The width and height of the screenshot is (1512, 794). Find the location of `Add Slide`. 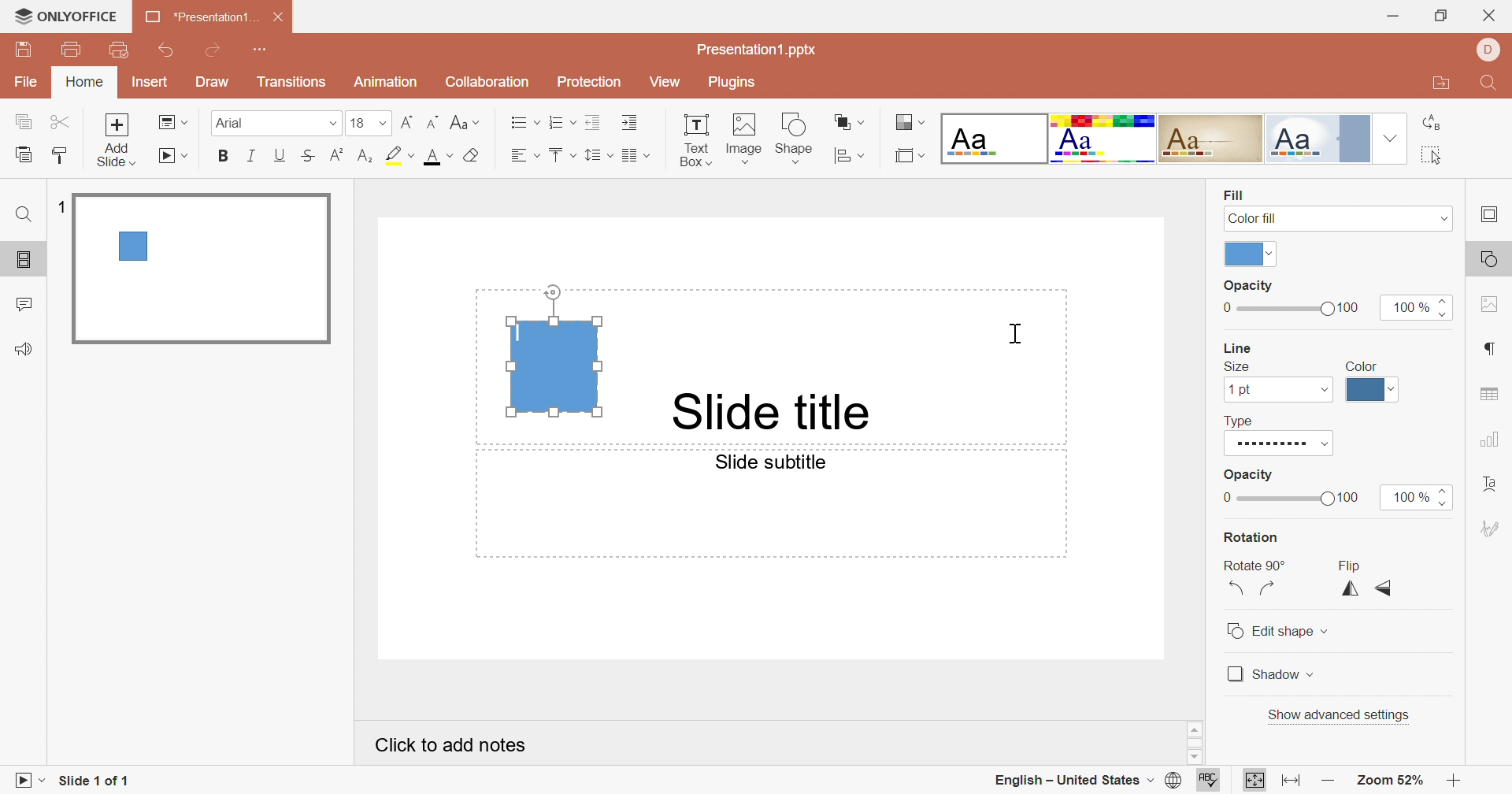

Add Slide is located at coordinates (120, 140).